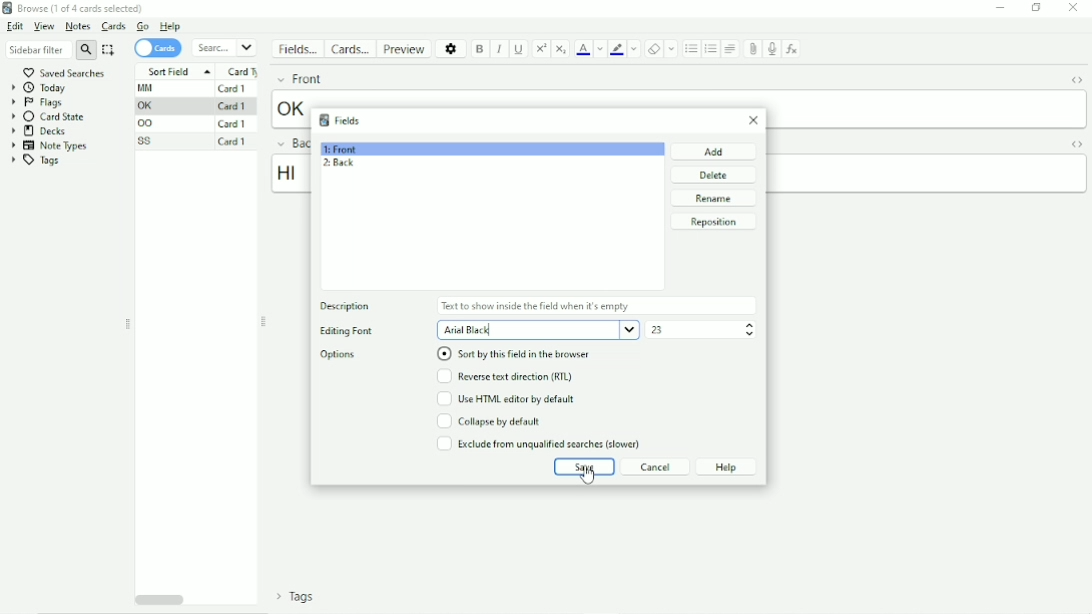 The height and width of the screenshot is (614, 1092). What do you see at coordinates (243, 71) in the screenshot?
I see `Card type` at bounding box center [243, 71].